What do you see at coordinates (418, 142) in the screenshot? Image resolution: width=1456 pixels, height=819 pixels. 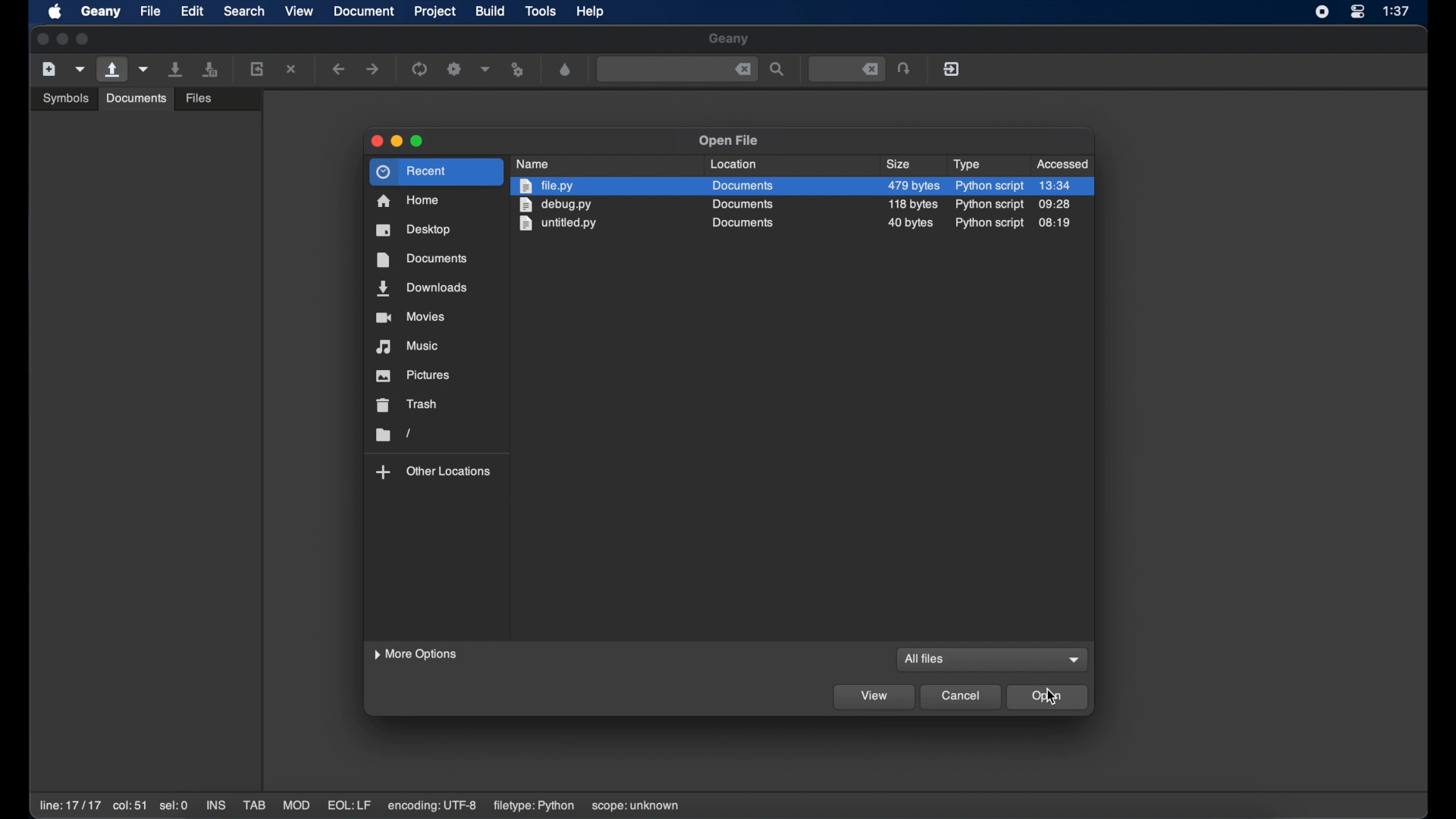 I see `maximize` at bounding box center [418, 142].